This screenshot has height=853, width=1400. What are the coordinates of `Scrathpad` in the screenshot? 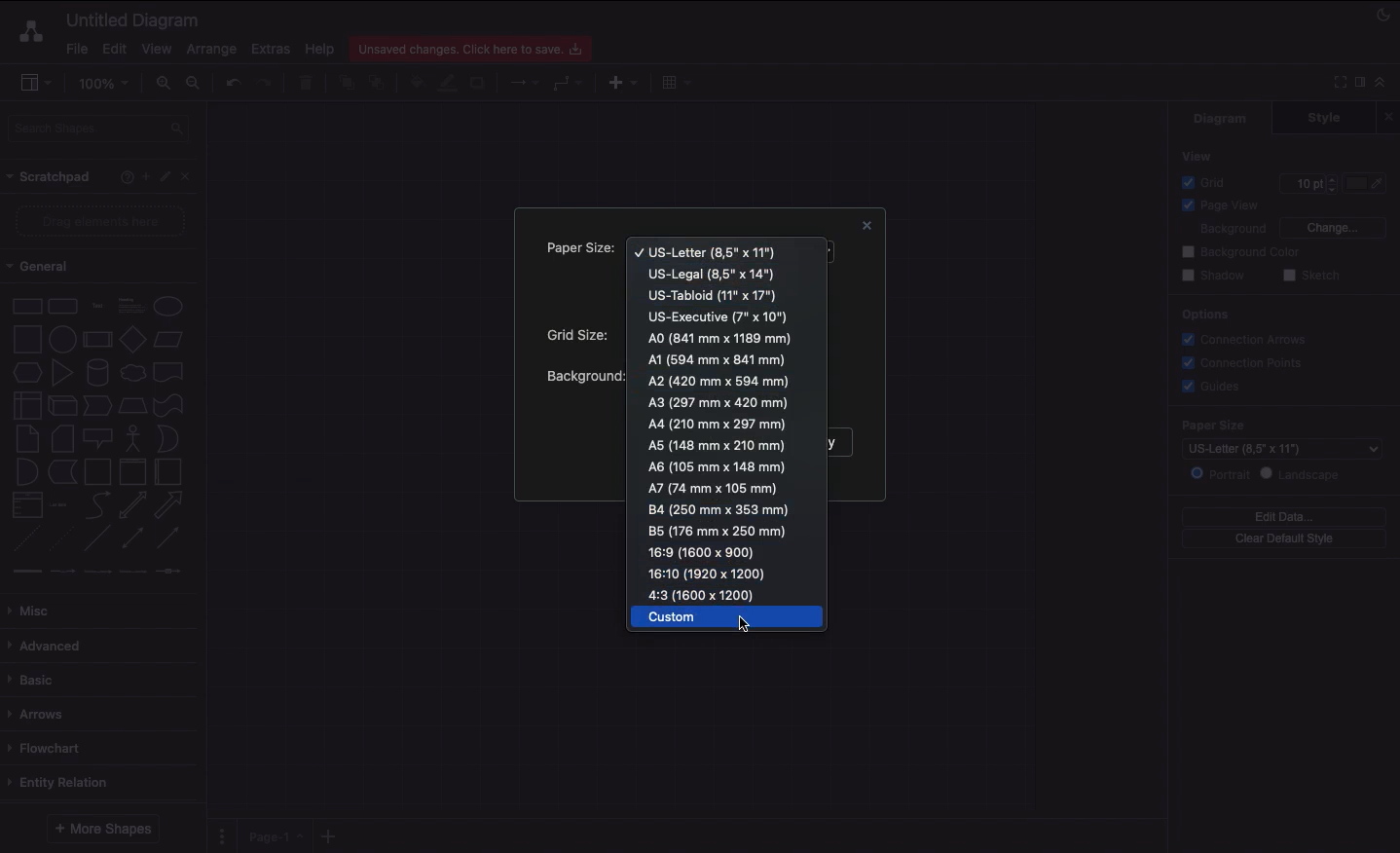 It's located at (50, 177).